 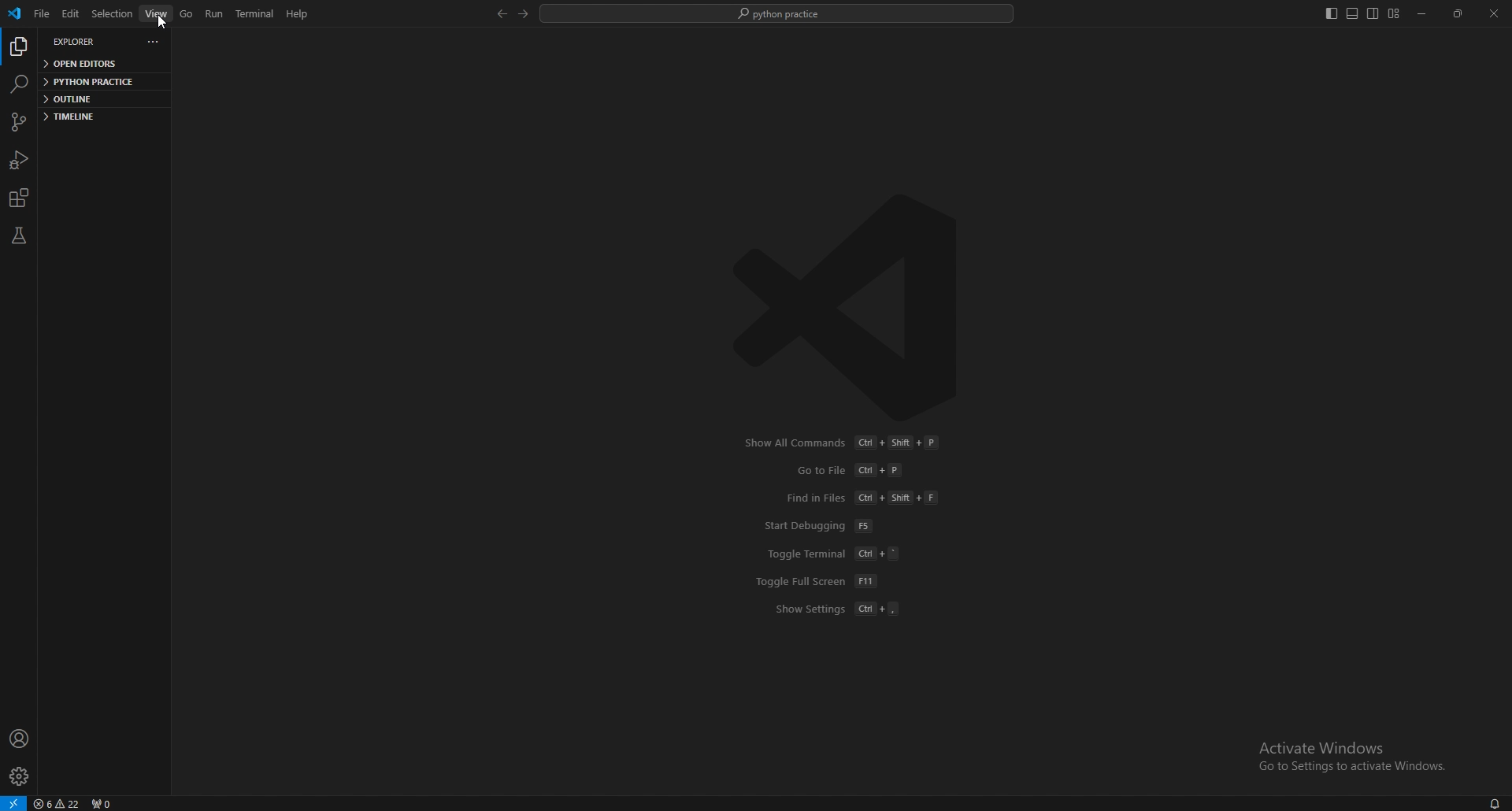 I want to click on open editors, so click(x=102, y=64).